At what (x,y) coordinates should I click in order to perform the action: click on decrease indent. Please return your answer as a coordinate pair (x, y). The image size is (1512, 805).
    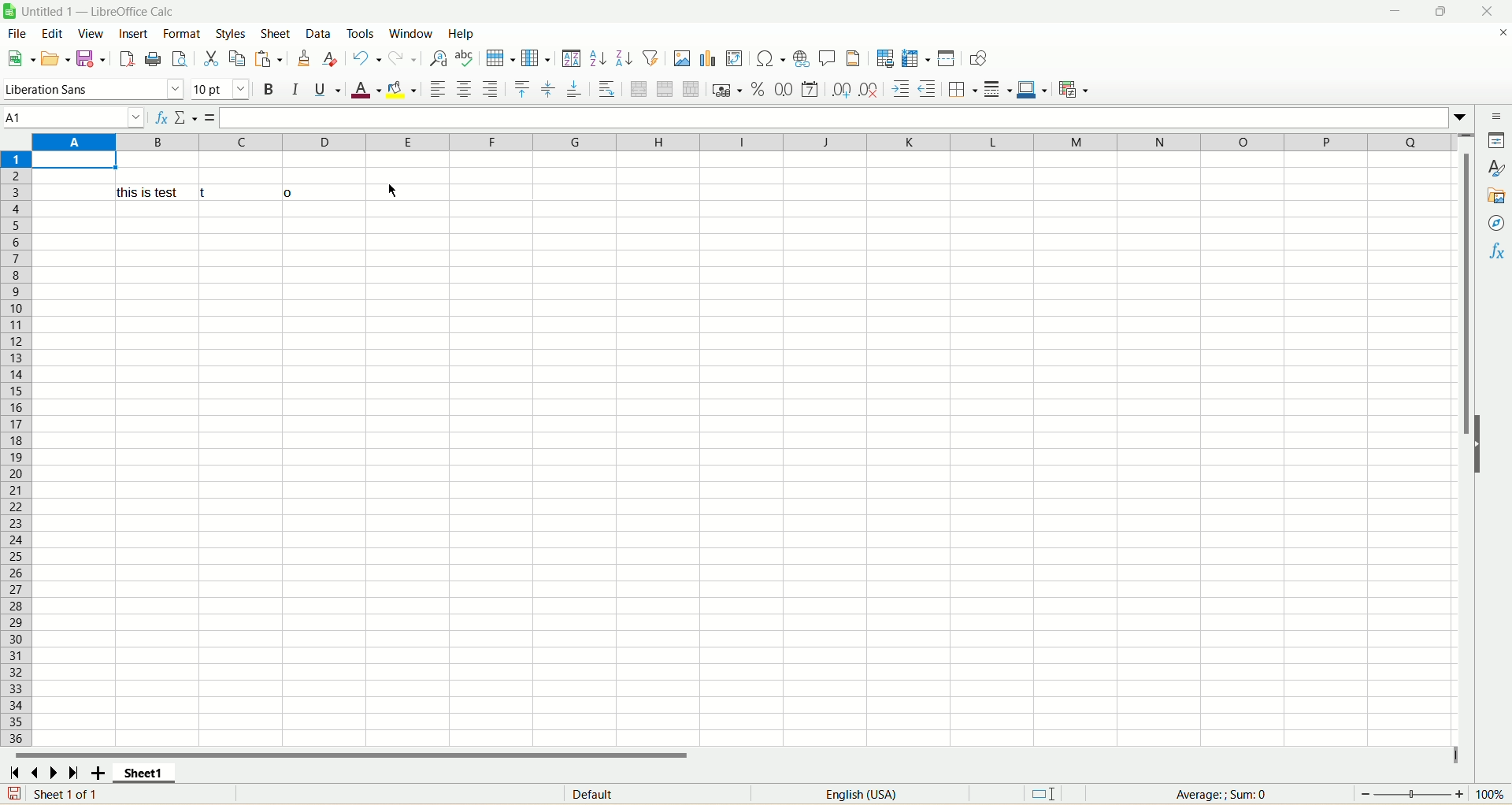
    Looking at the image, I should click on (927, 90).